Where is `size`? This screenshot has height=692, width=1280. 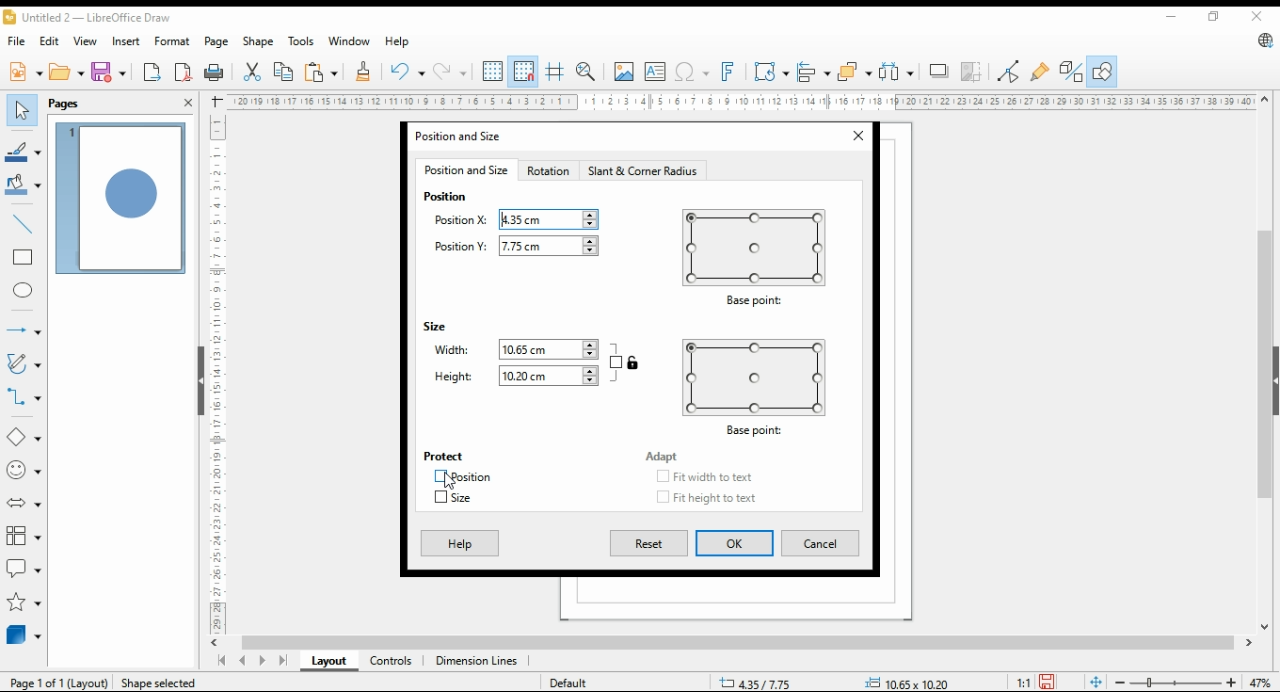
size is located at coordinates (459, 499).